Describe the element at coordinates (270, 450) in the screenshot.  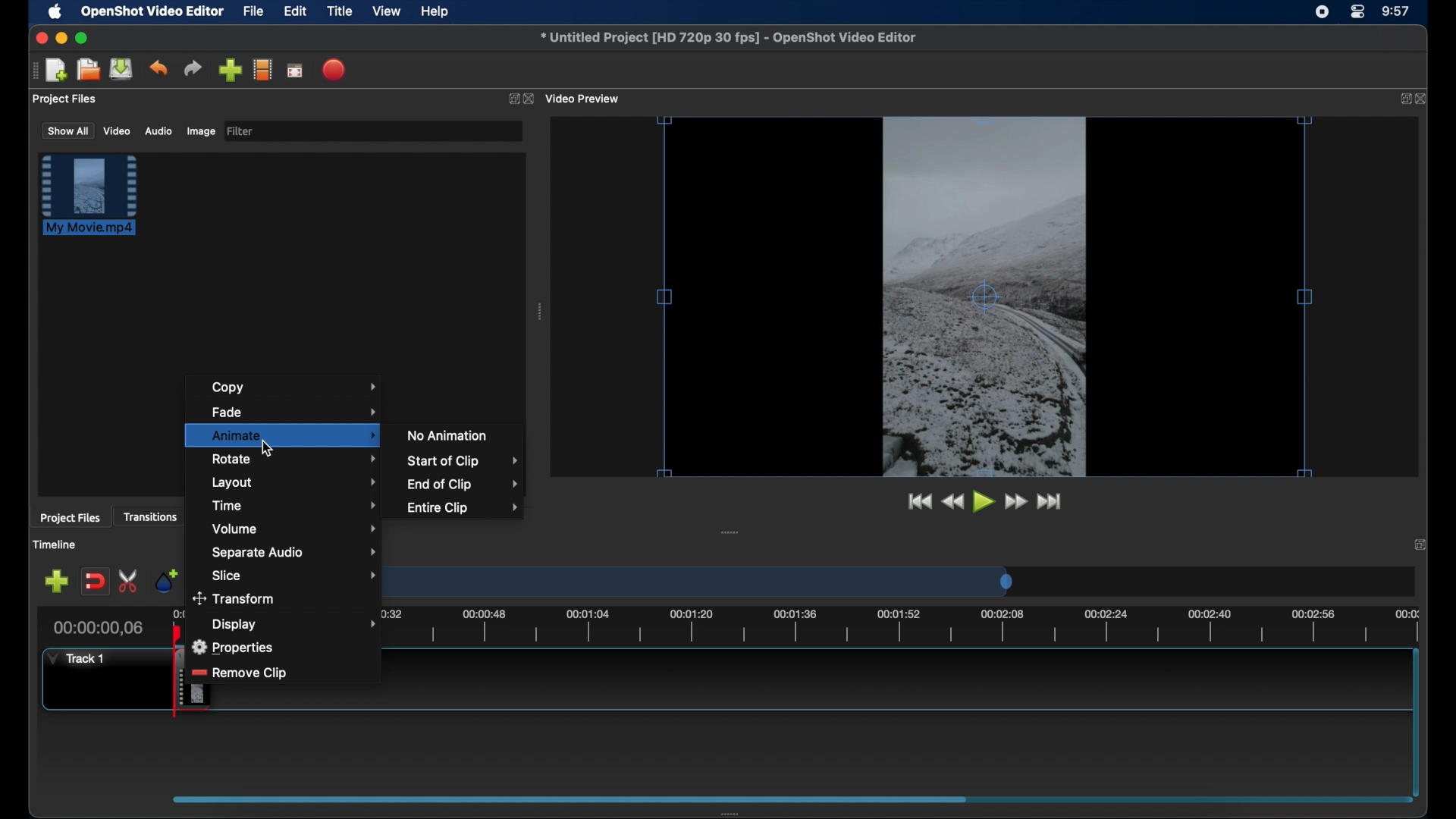
I see `cursor` at that location.